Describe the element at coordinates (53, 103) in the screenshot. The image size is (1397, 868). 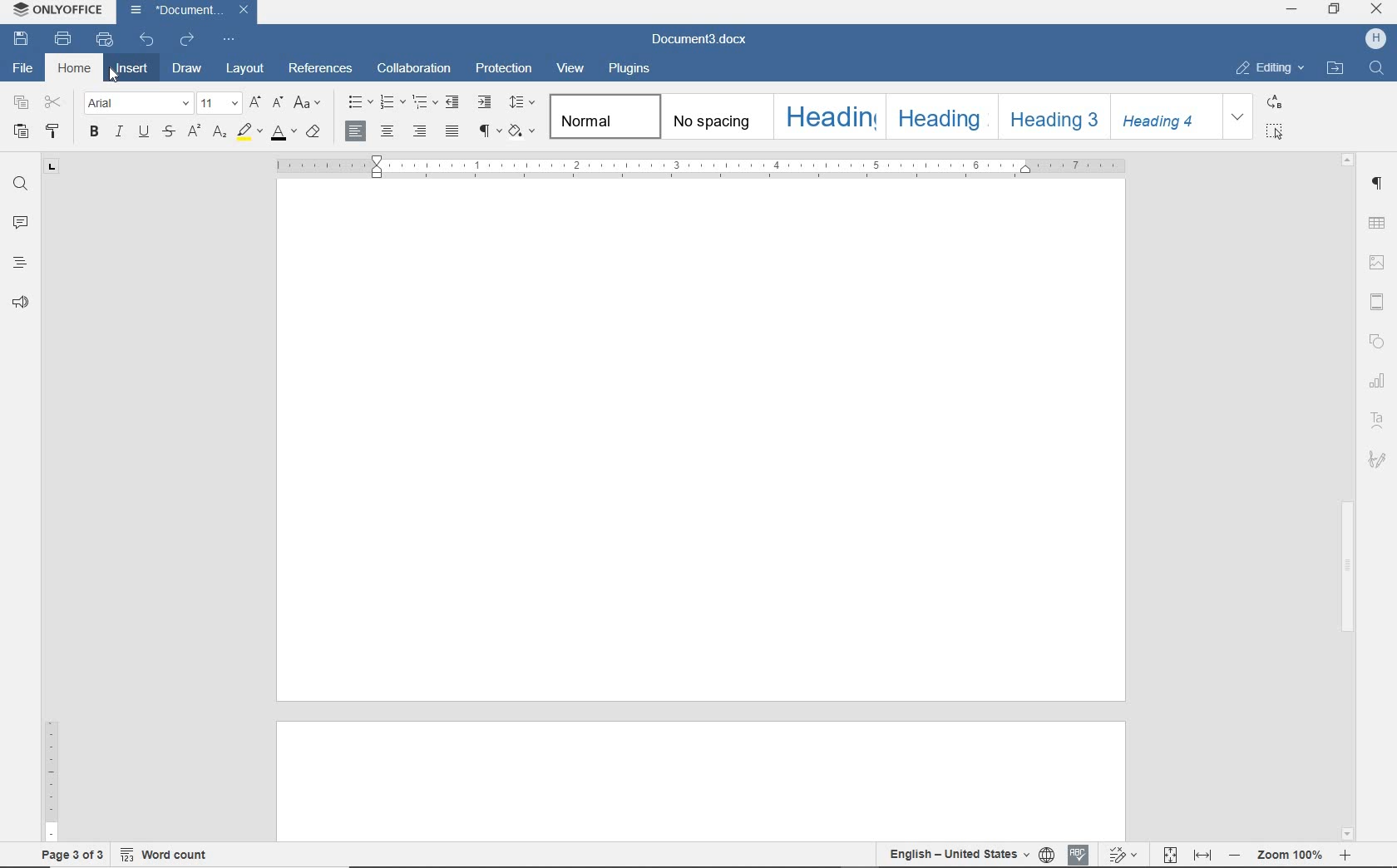
I see `CUT` at that location.